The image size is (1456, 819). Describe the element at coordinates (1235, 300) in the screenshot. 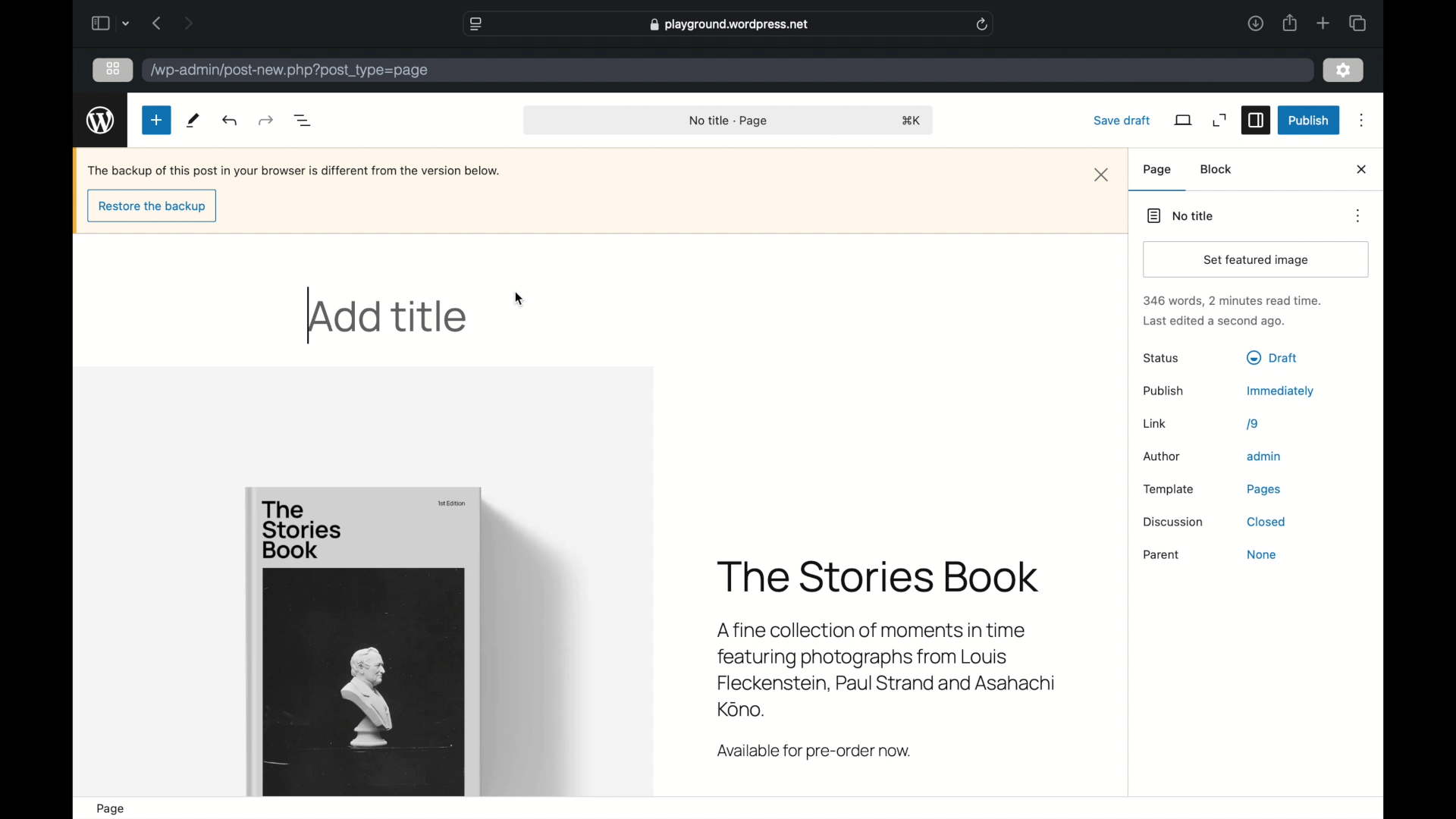

I see `346 words, 2 minutes read time.` at that location.